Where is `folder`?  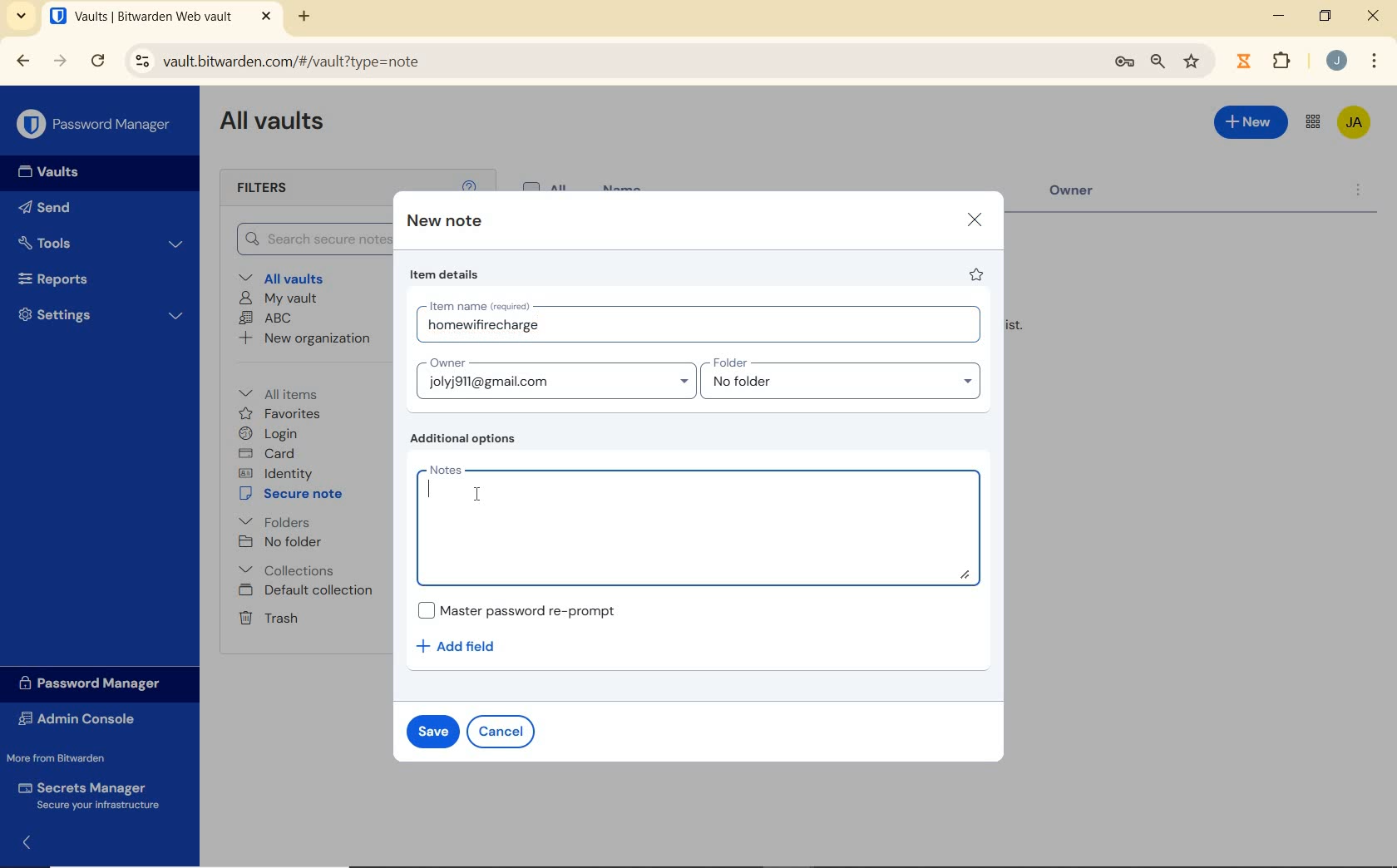
folder is located at coordinates (842, 378).